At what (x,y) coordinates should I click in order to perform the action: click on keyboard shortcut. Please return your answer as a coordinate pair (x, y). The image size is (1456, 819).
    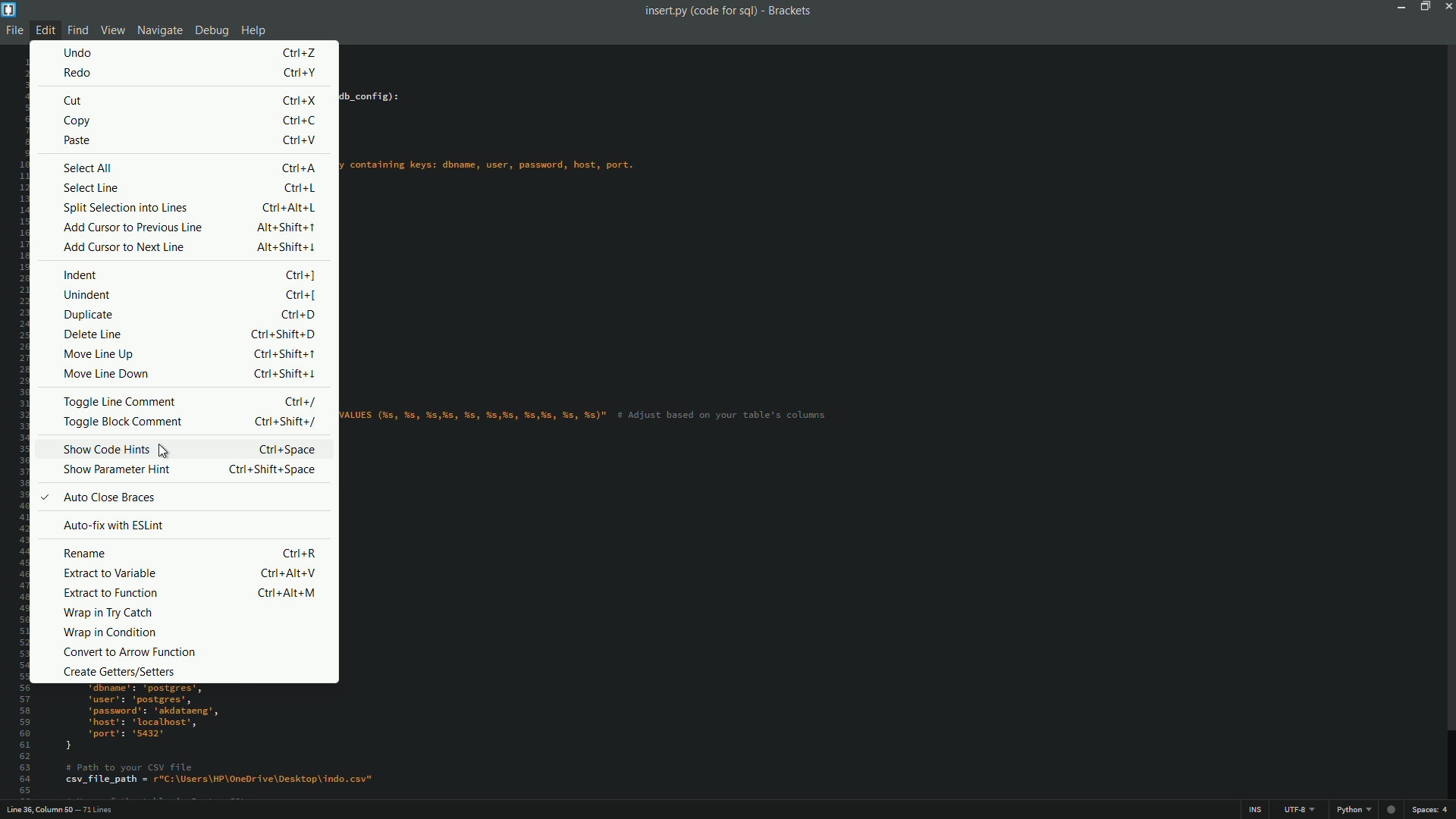
    Looking at the image, I should click on (281, 354).